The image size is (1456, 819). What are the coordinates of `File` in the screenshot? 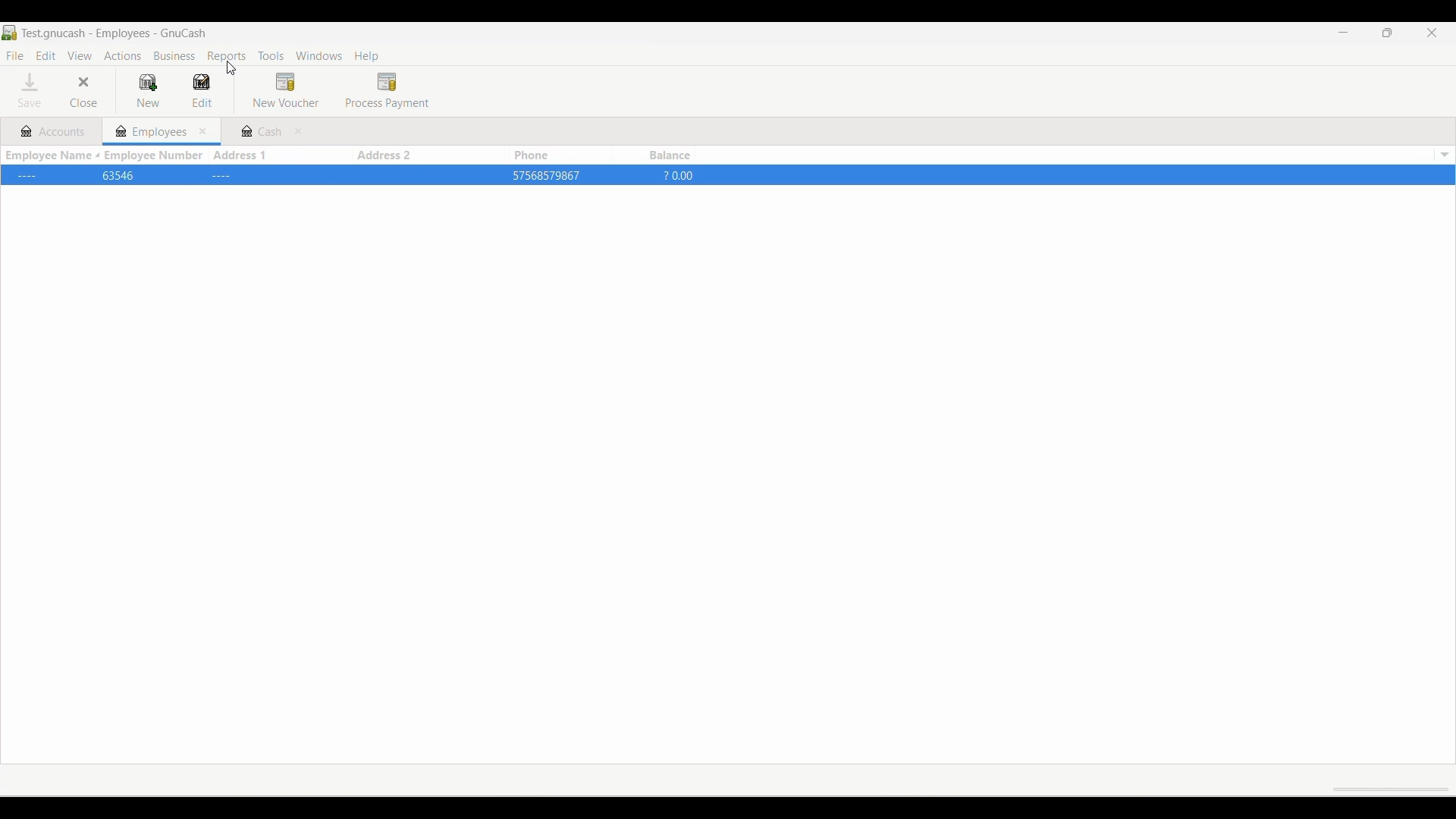 It's located at (15, 55).